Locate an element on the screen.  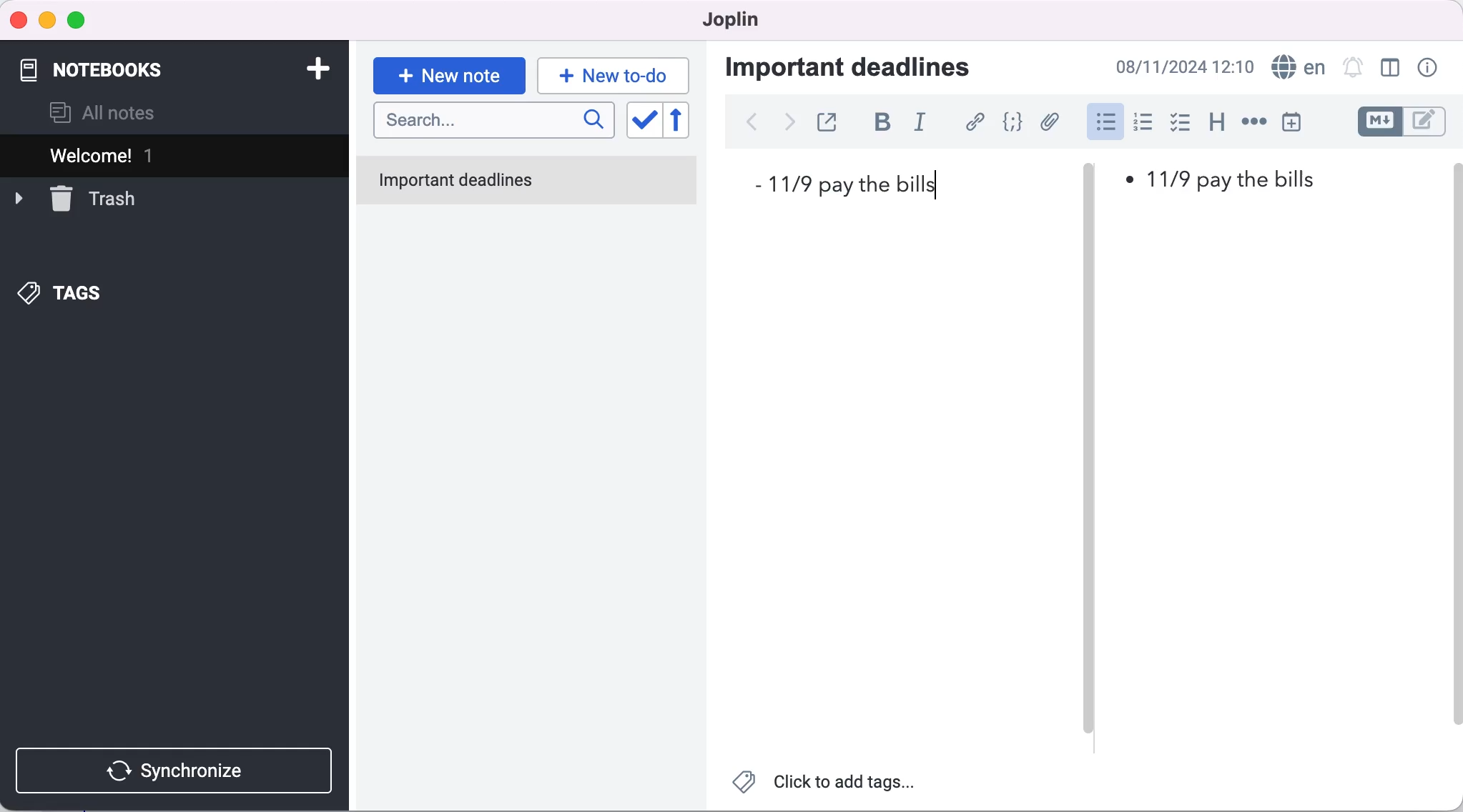
toggle sort order field is located at coordinates (643, 123).